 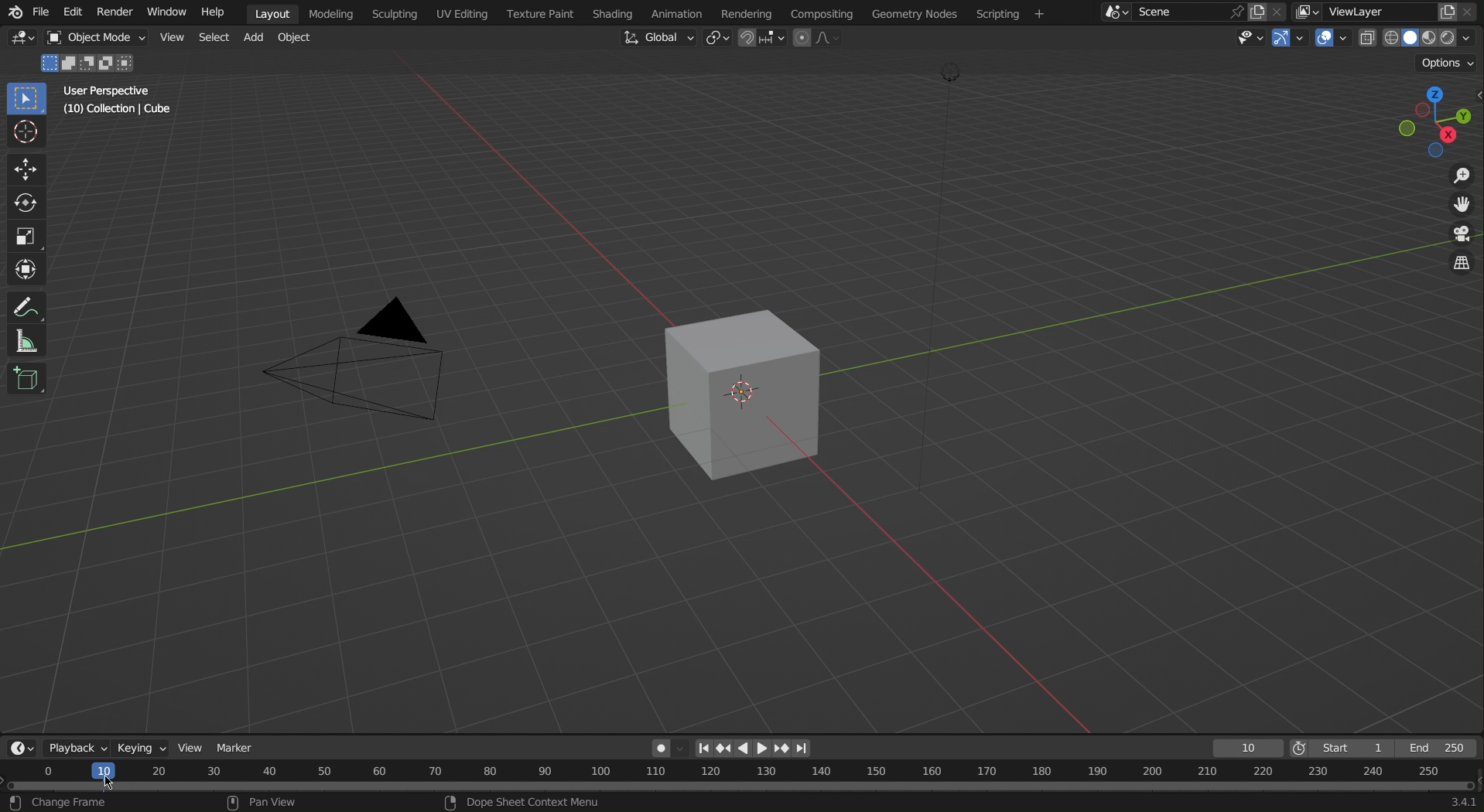 What do you see at coordinates (763, 749) in the screenshot?
I see `Right` at bounding box center [763, 749].